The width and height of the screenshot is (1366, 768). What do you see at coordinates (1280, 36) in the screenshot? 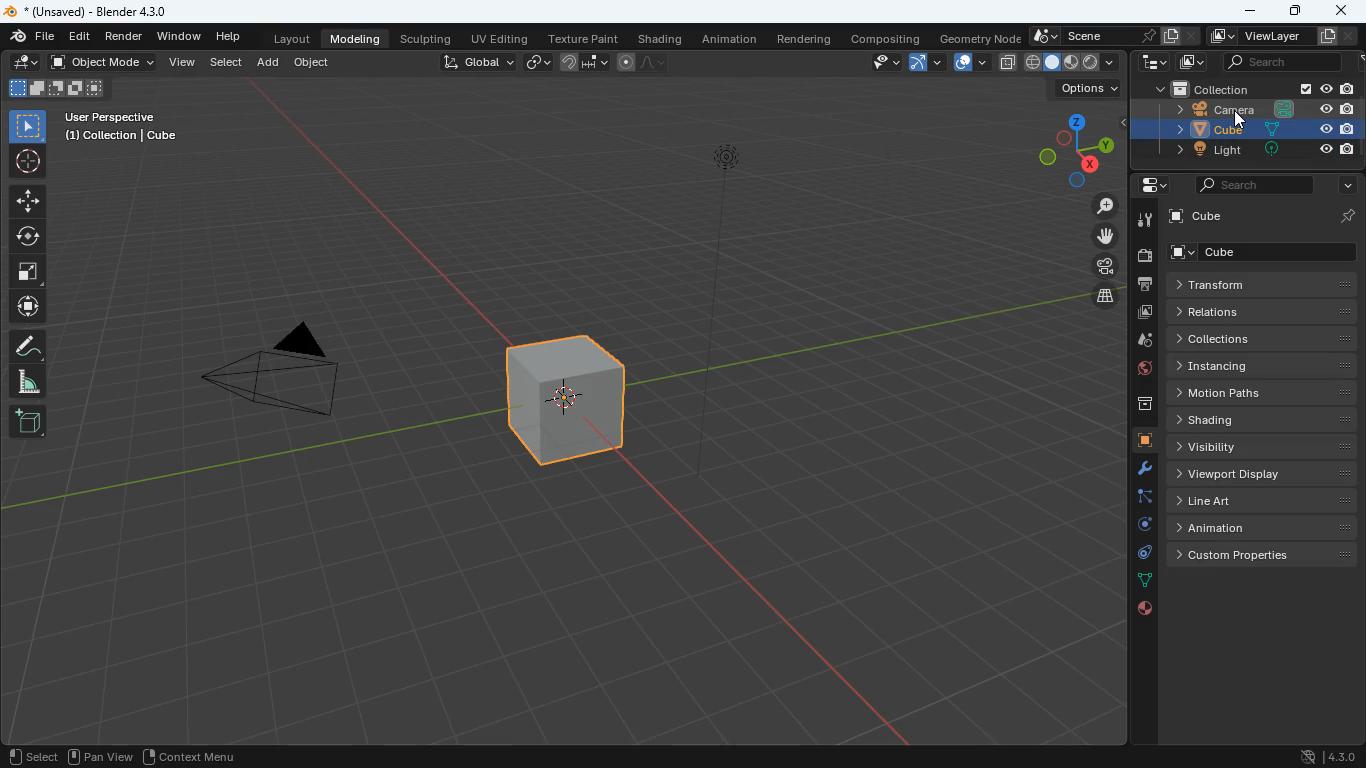
I see `viewlayer` at bounding box center [1280, 36].